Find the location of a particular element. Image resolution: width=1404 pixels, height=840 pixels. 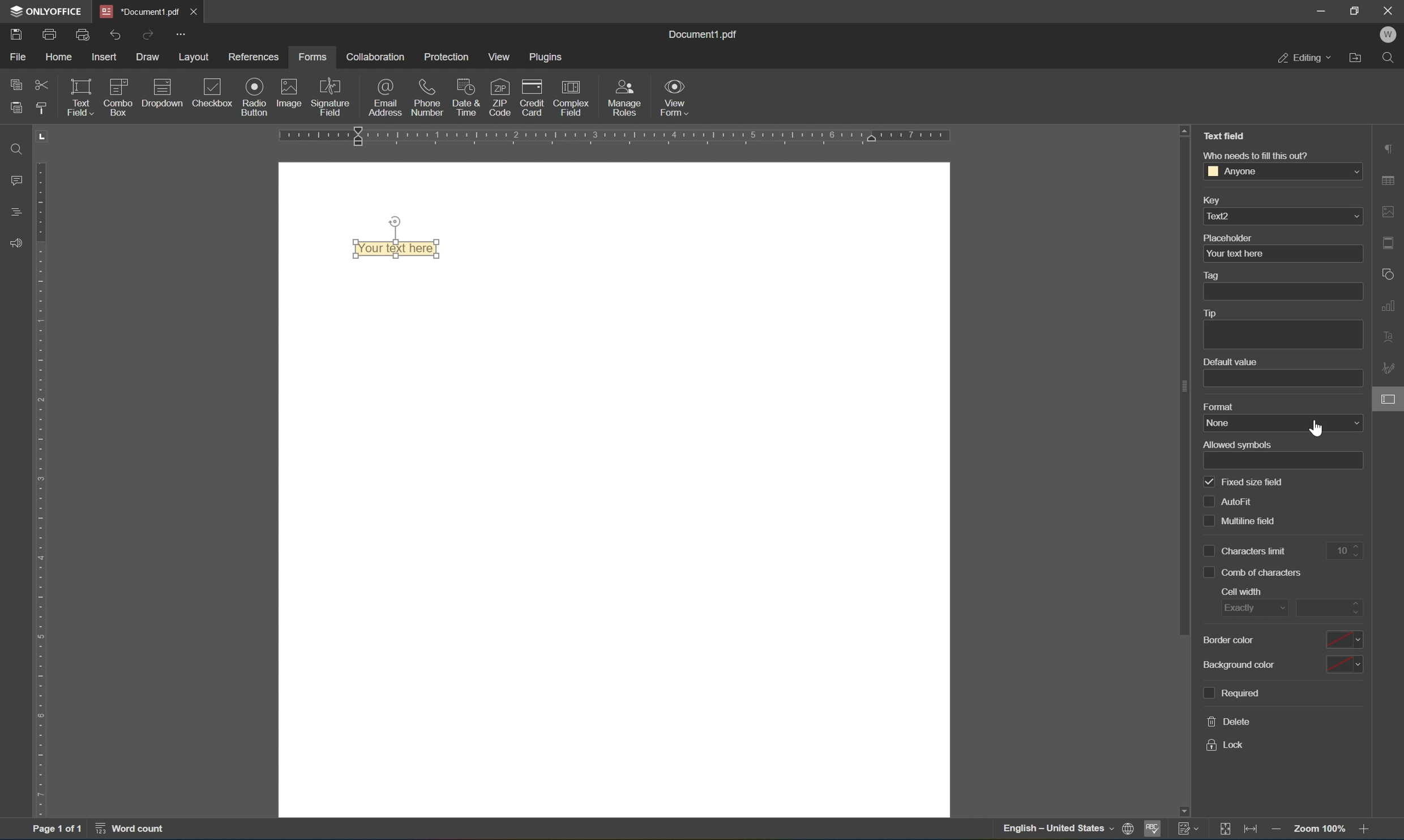

combo box is located at coordinates (118, 97).